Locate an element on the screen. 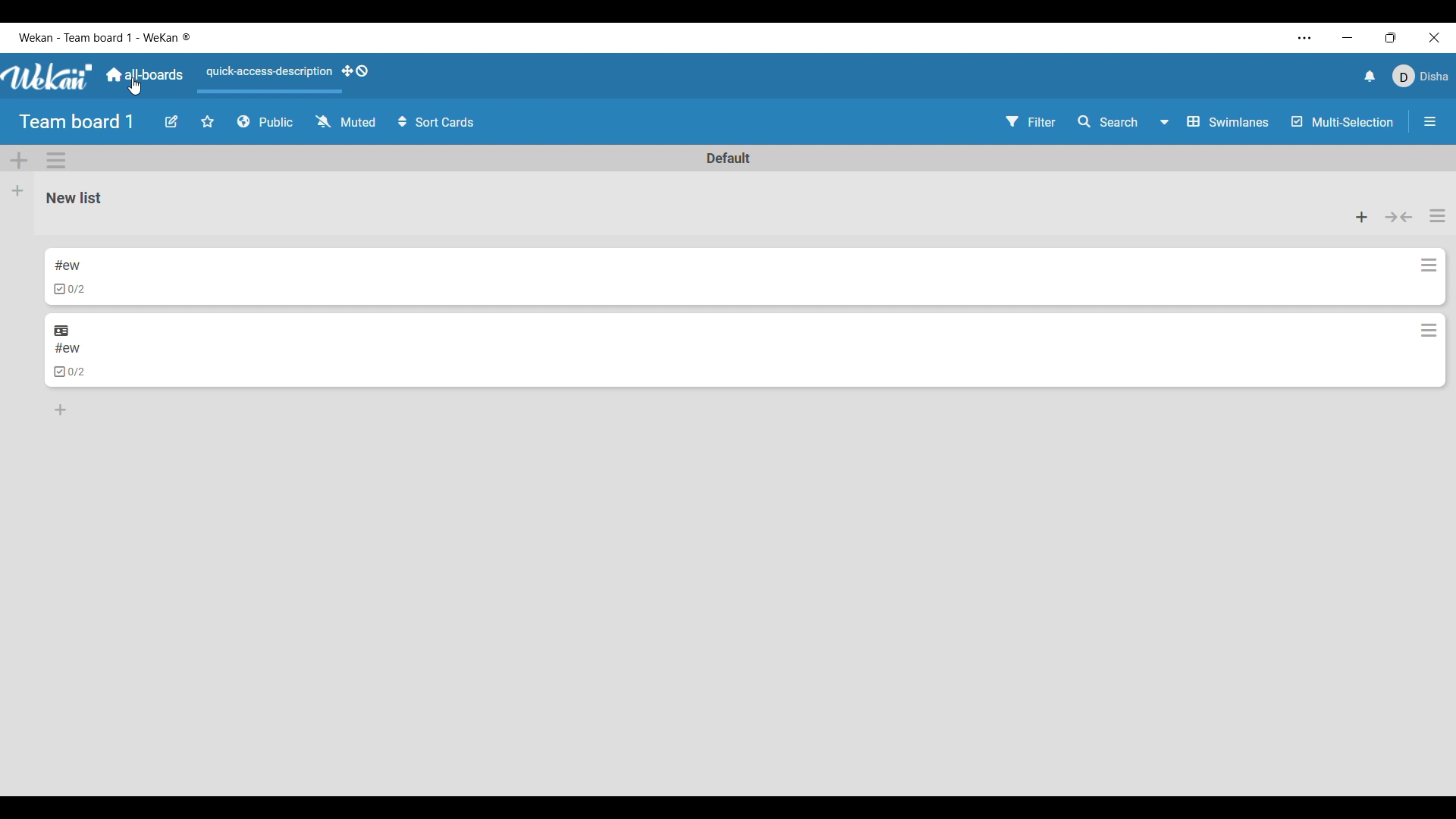 Image resolution: width=1456 pixels, height=819 pixels. Indicates card has checklist is located at coordinates (70, 289).